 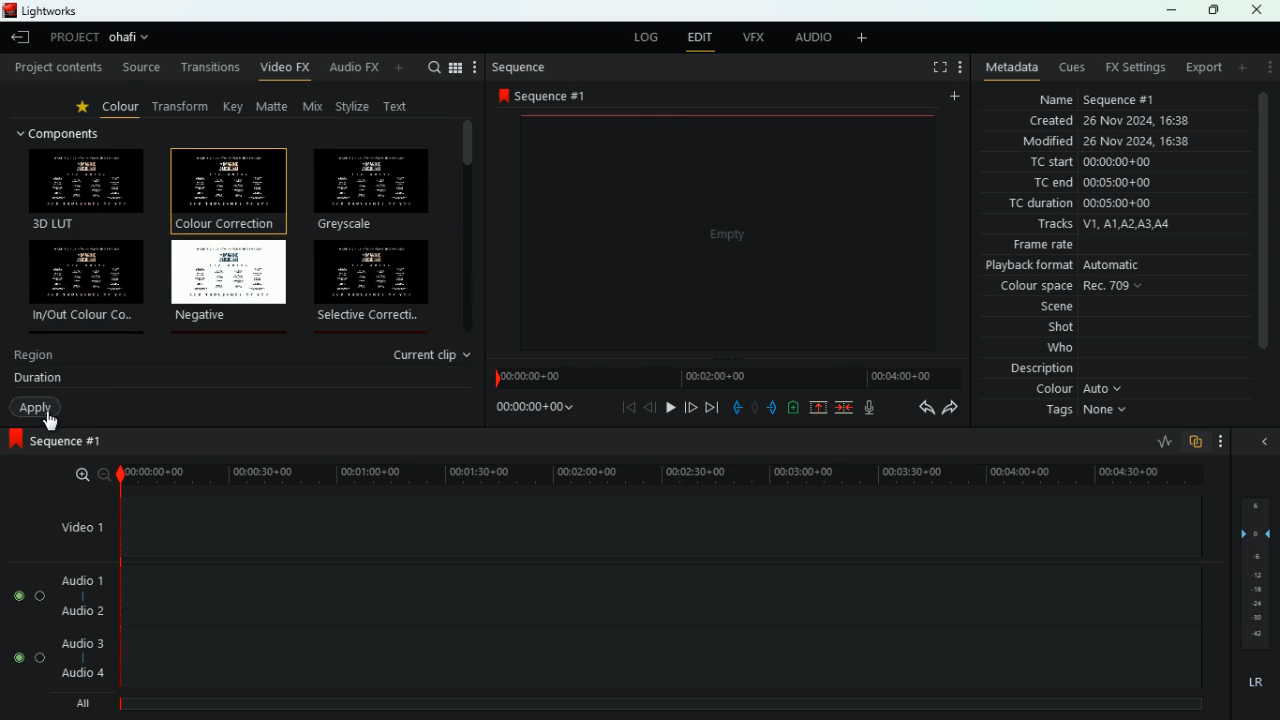 I want to click on more, so click(x=960, y=68).